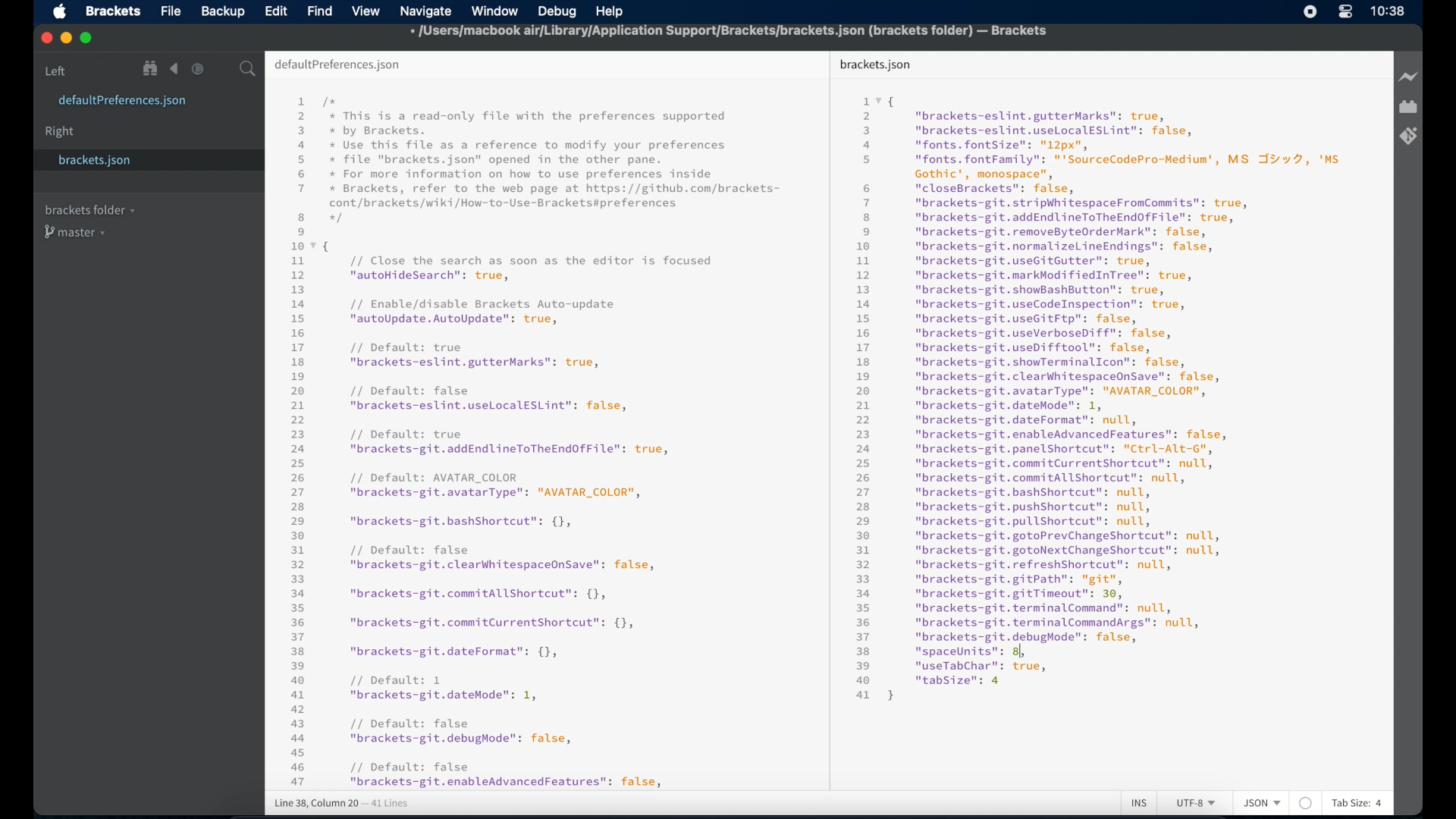 The height and width of the screenshot is (819, 1456). Describe the element at coordinates (47, 39) in the screenshot. I see `close` at that location.